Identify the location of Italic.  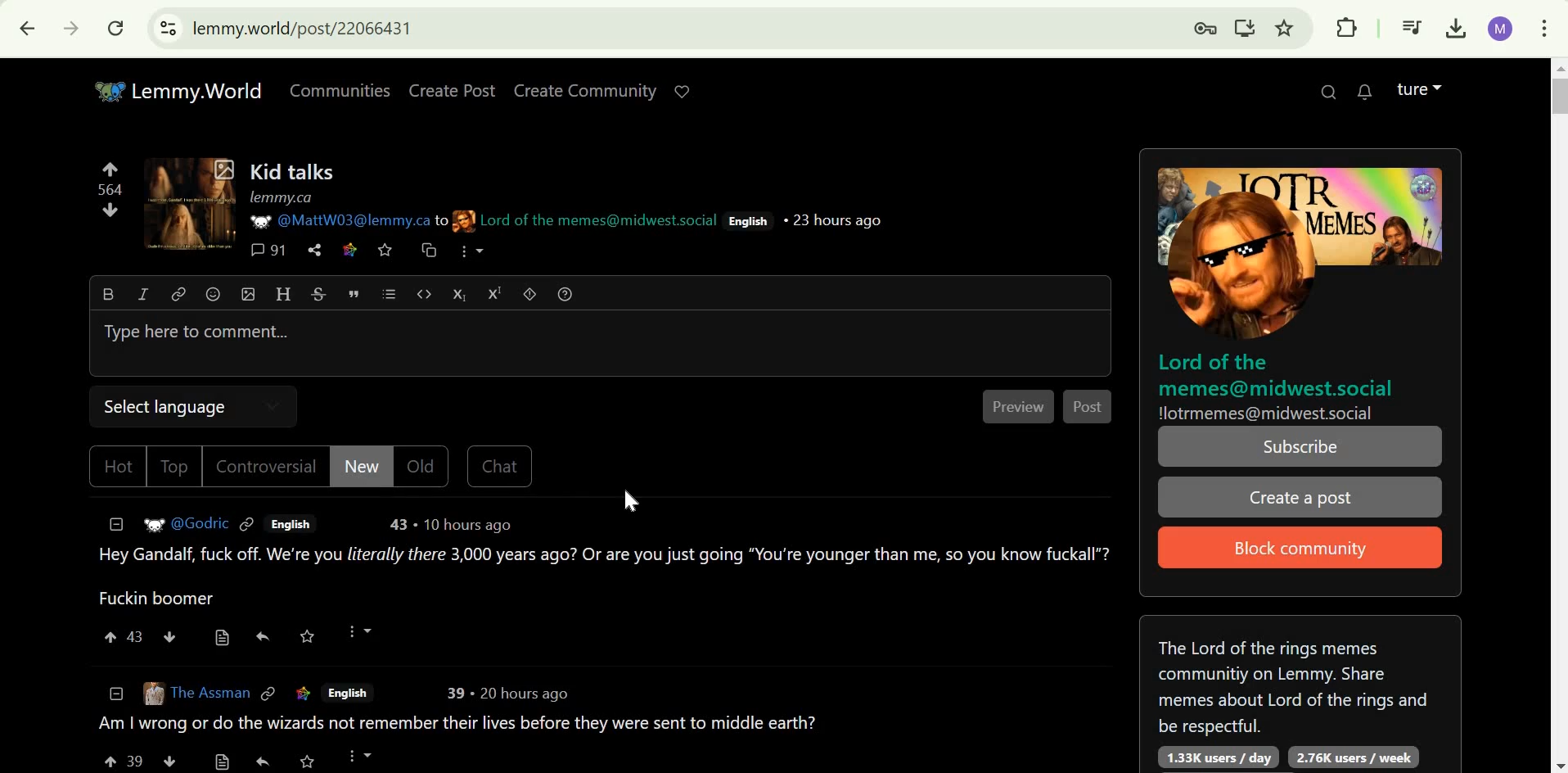
(146, 295).